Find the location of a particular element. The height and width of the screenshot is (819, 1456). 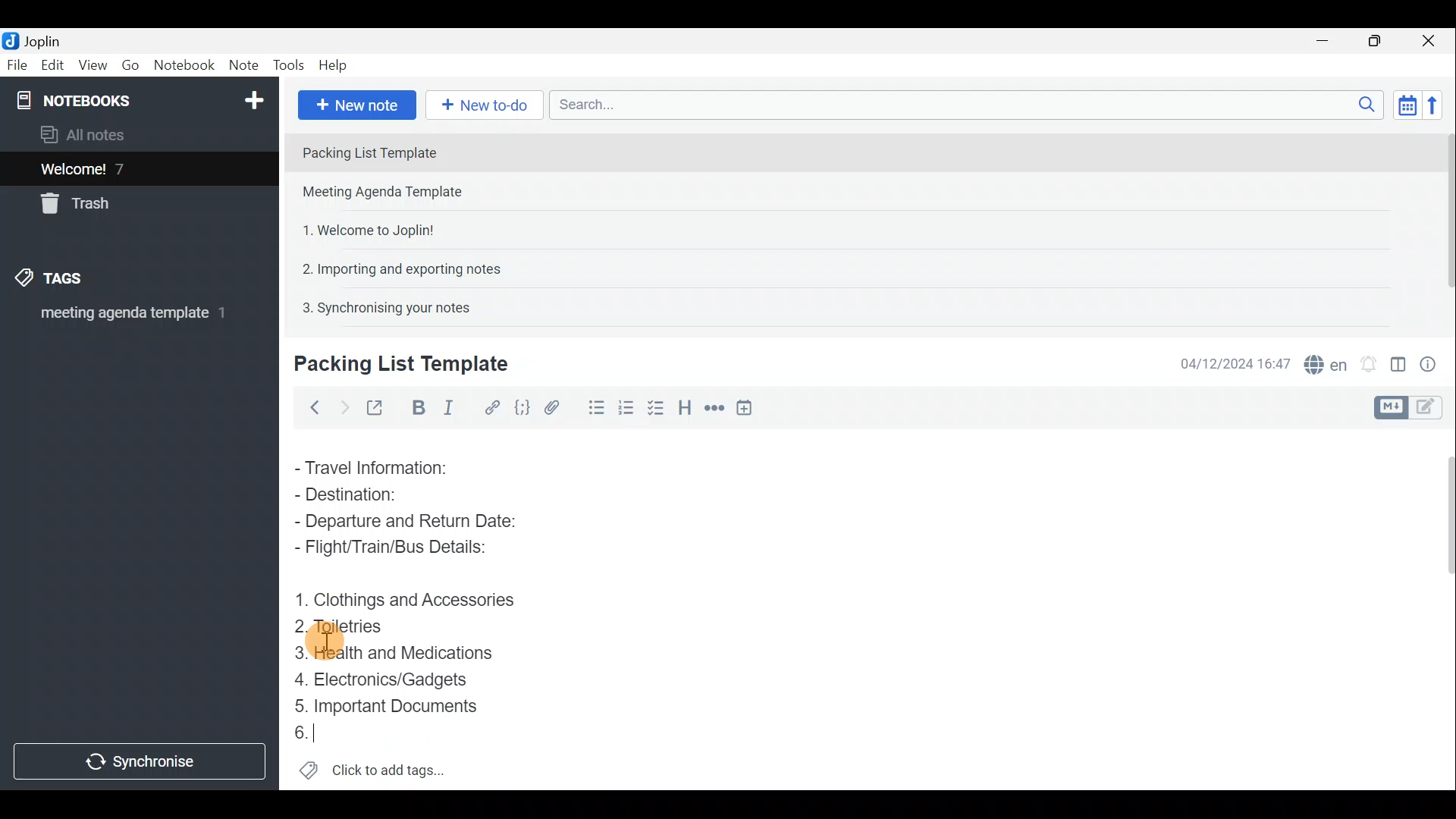

Tags is located at coordinates (74, 281).